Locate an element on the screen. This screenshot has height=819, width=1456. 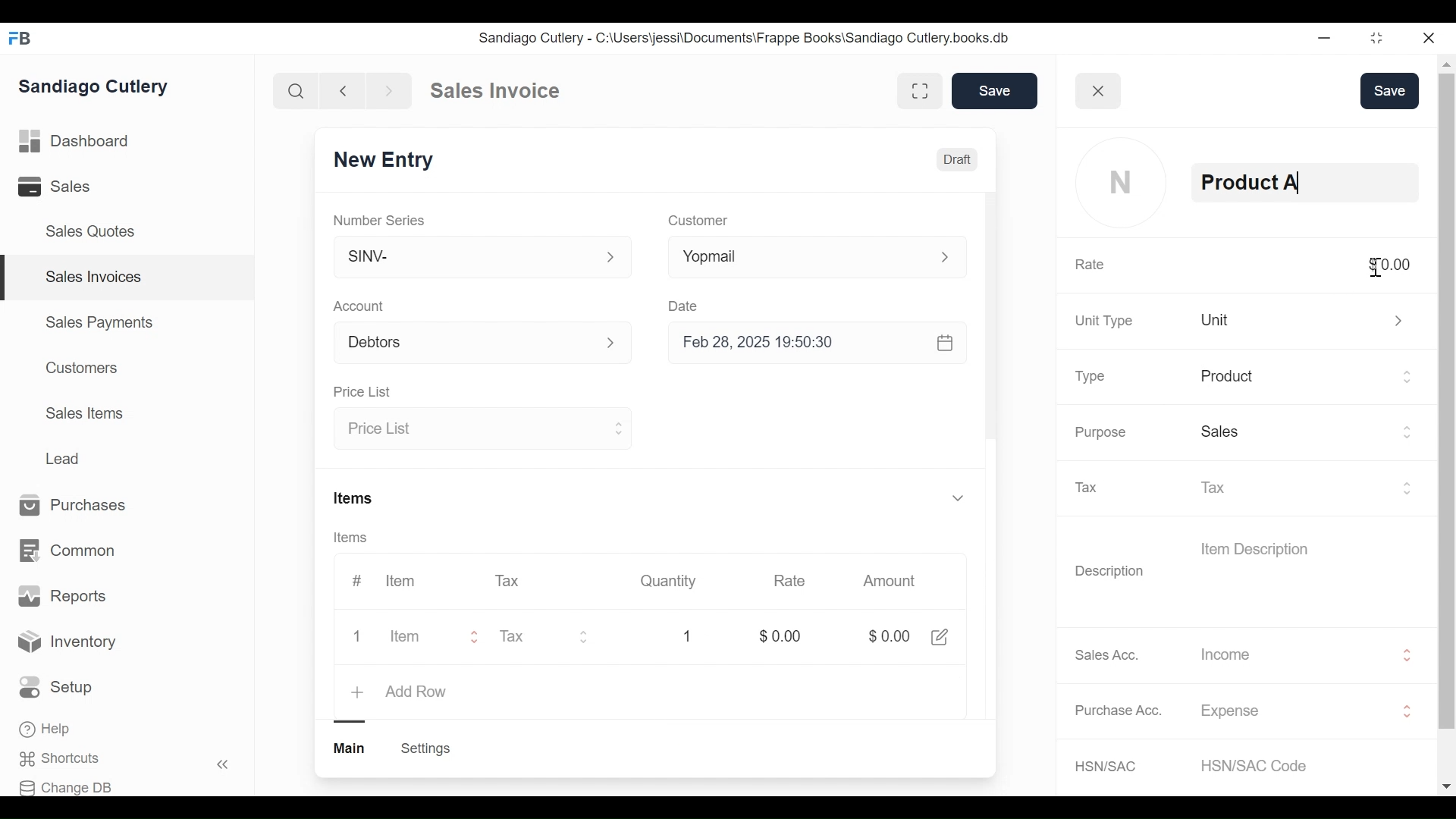
scrollbar is located at coordinates (989, 313).